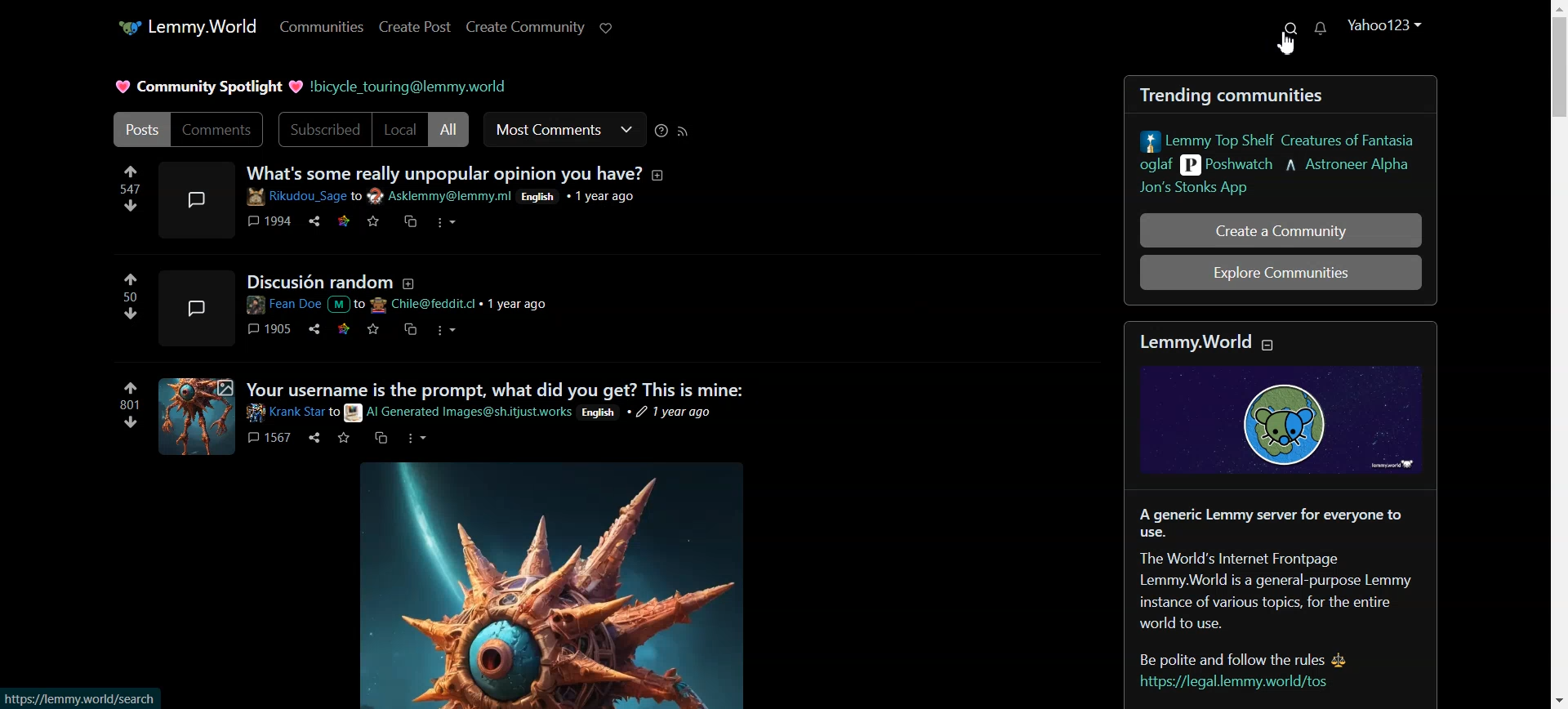 This screenshot has height=709, width=1568. I want to click on upvotes and downvotes, so click(134, 300).